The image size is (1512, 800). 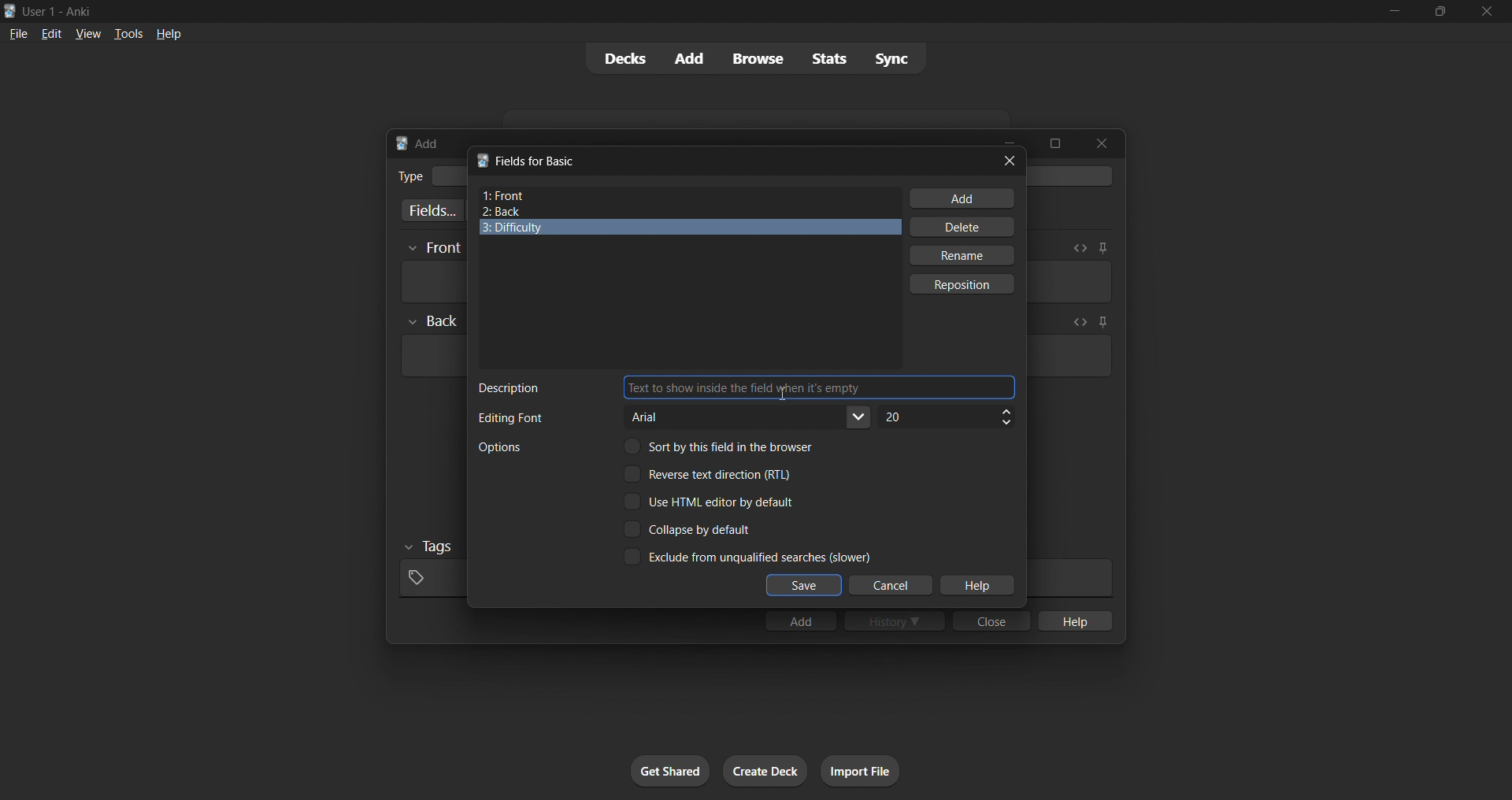 I want to click on Toggle, so click(x=710, y=473).